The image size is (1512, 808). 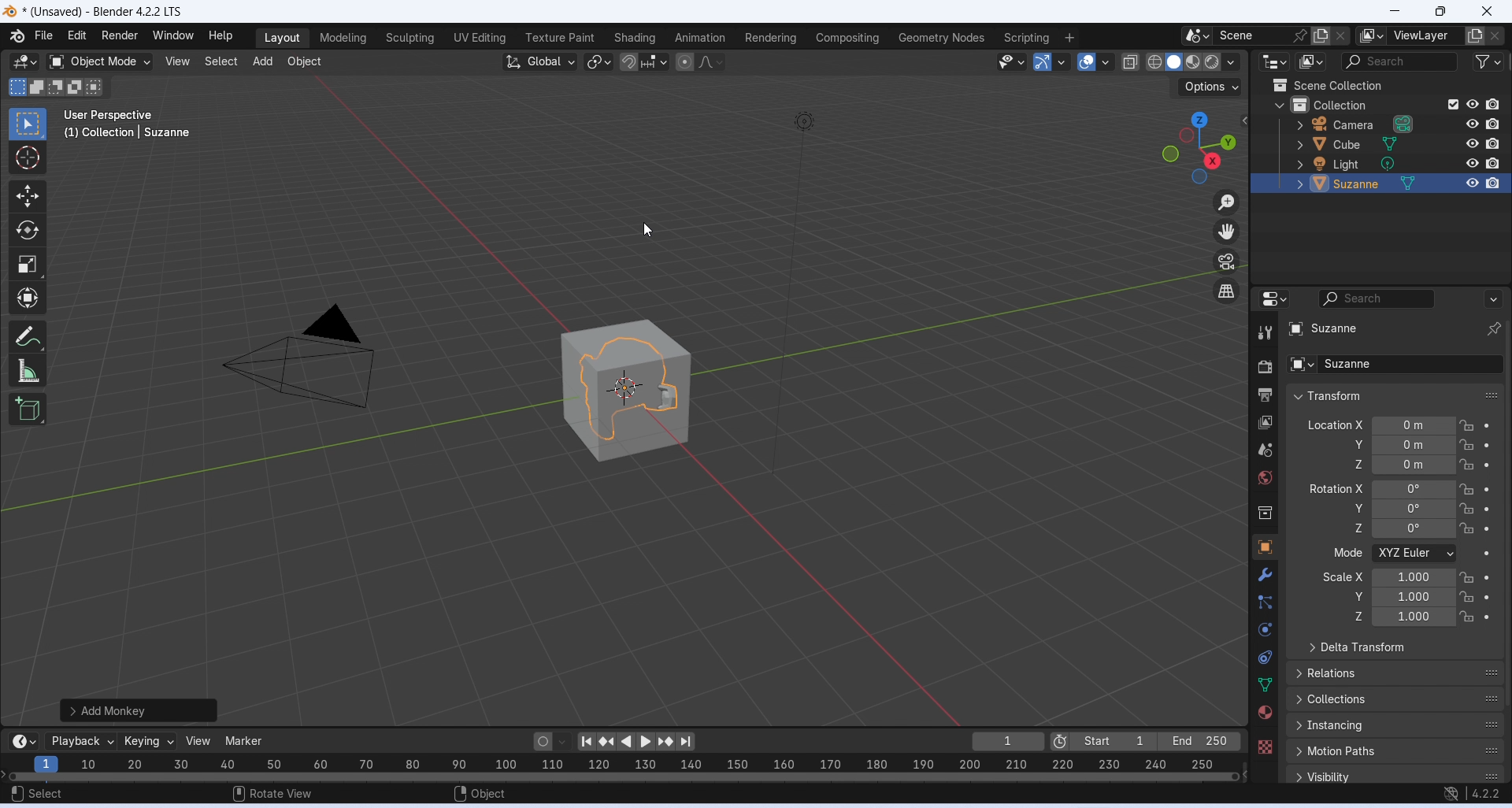 I want to click on scale, so click(x=1414, y=597).